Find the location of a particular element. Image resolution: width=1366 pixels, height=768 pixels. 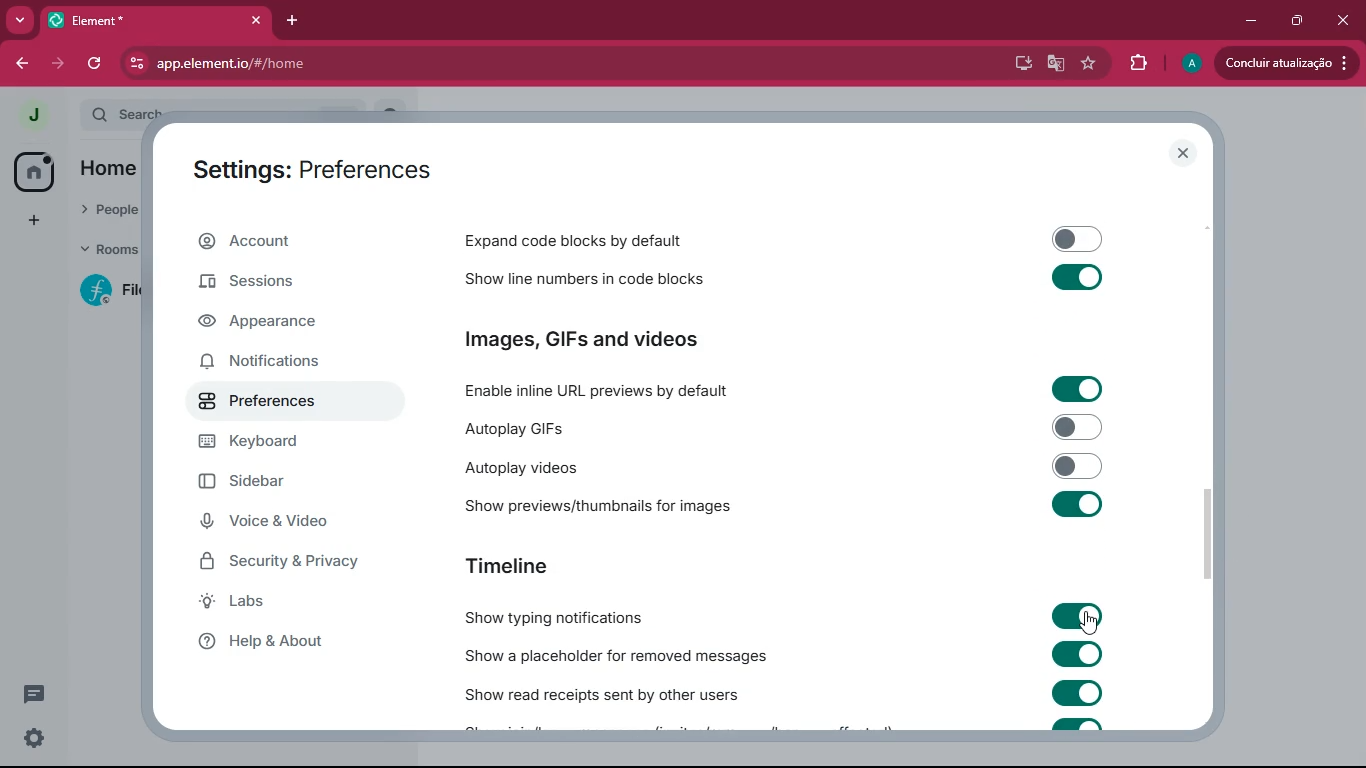

profile is located at coordinates (1188, 64).